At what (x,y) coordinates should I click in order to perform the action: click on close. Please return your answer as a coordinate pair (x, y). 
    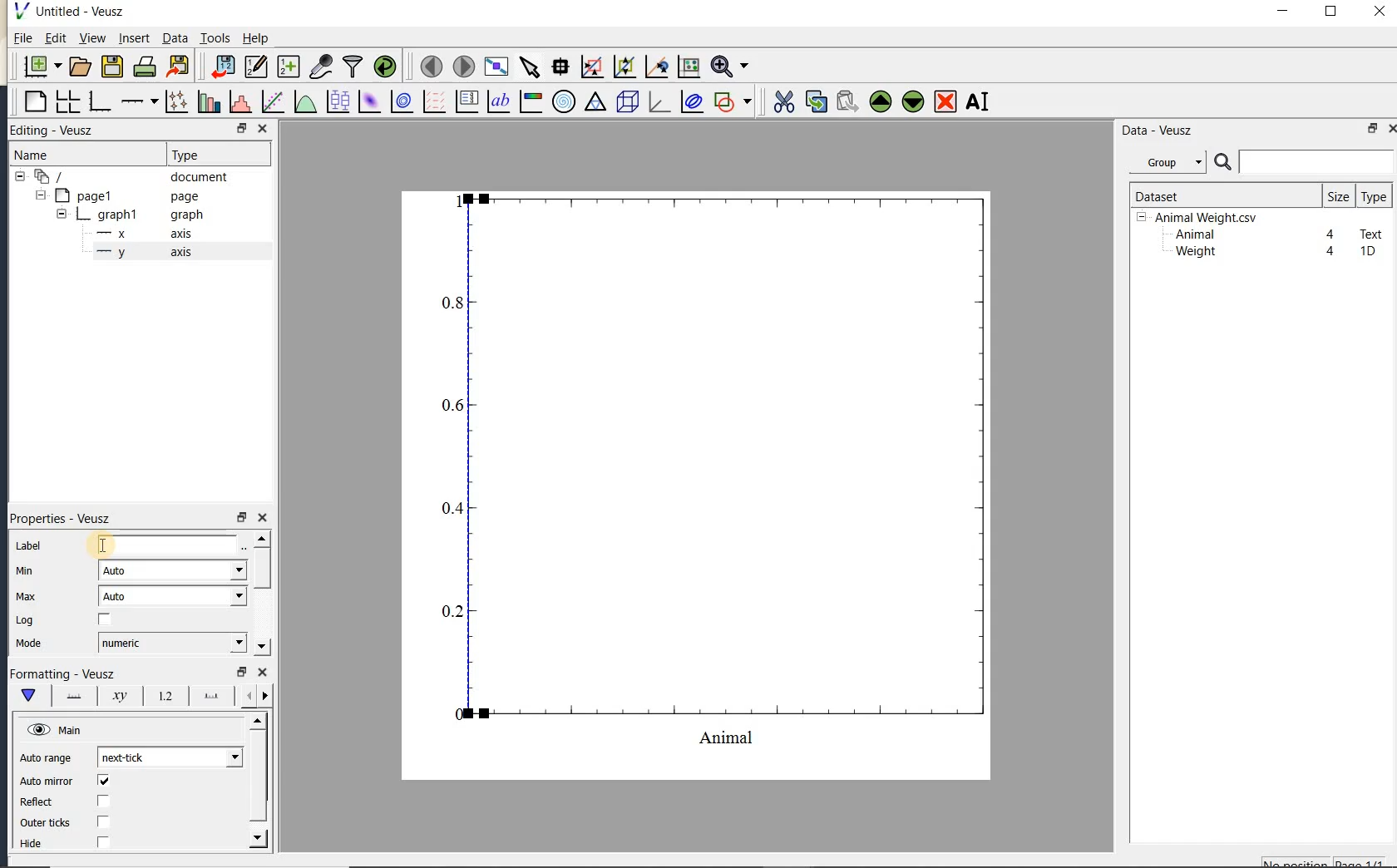
    Looking at the image, I should click on (1391, 129).